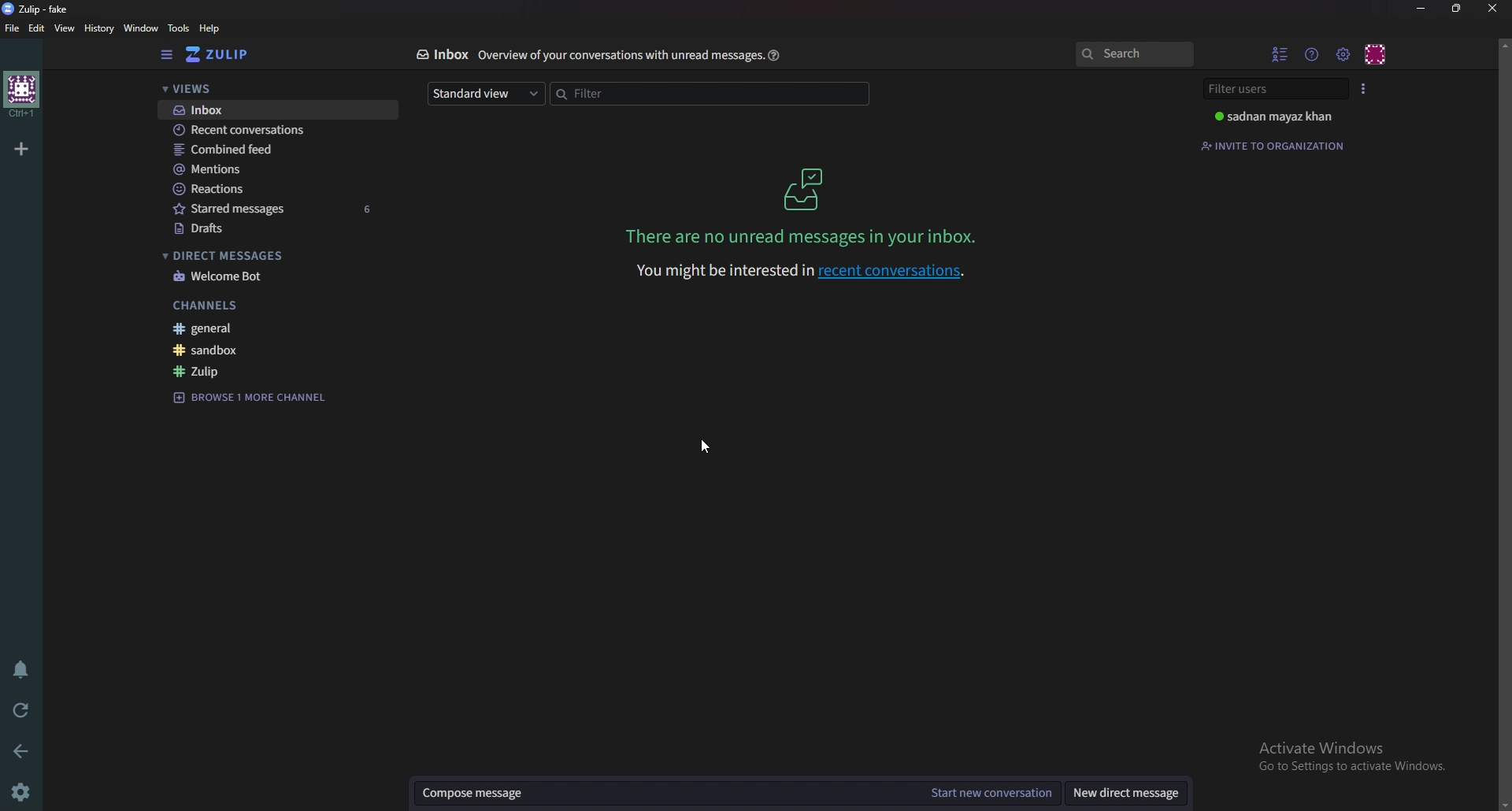 This screenshot has height=811, width=1512. Describe the element at coordinates (281, 350) in the screenshot. I see `sandbox` at that location.